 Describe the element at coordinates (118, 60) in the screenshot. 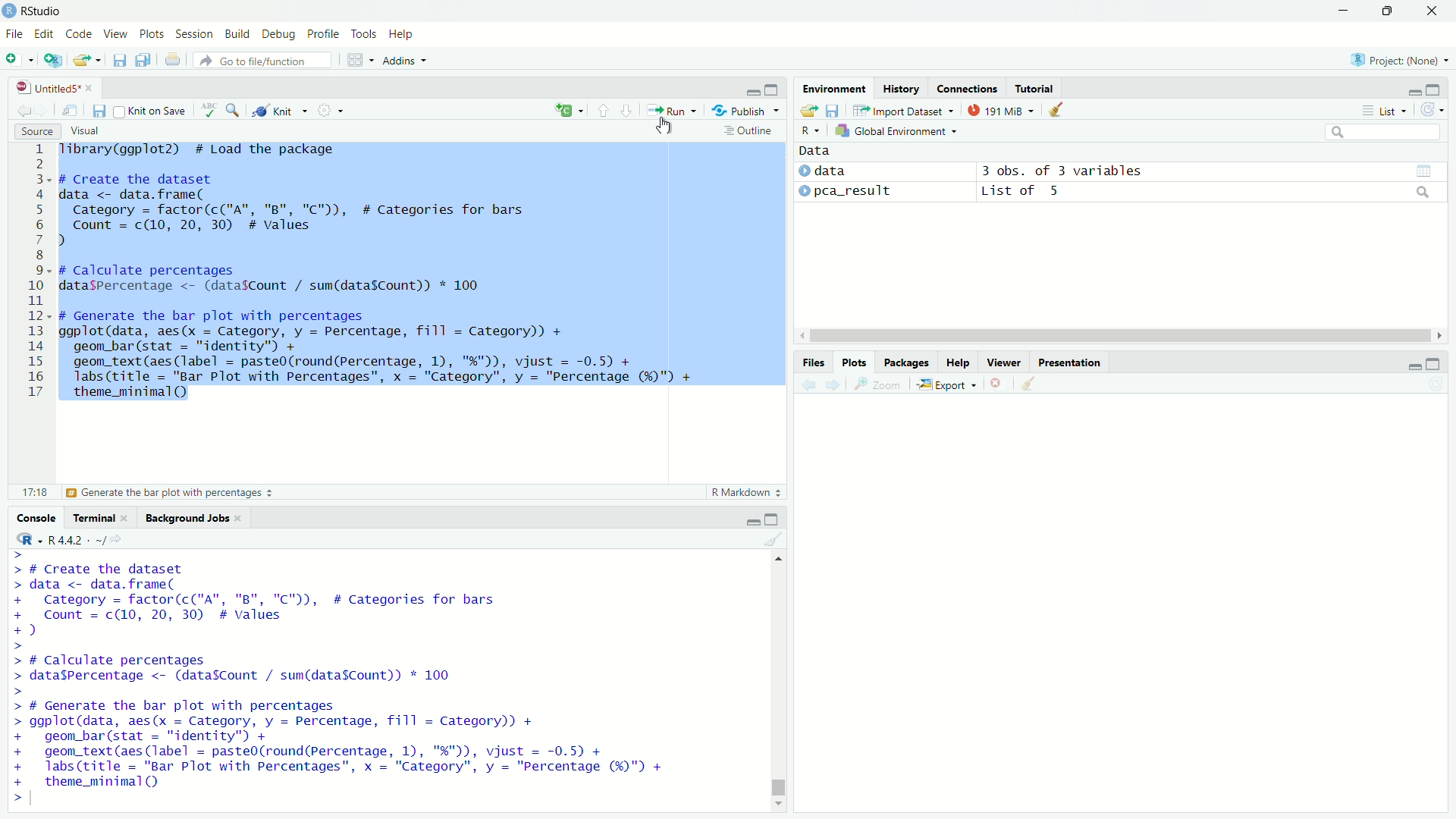

I see `save` at that location.